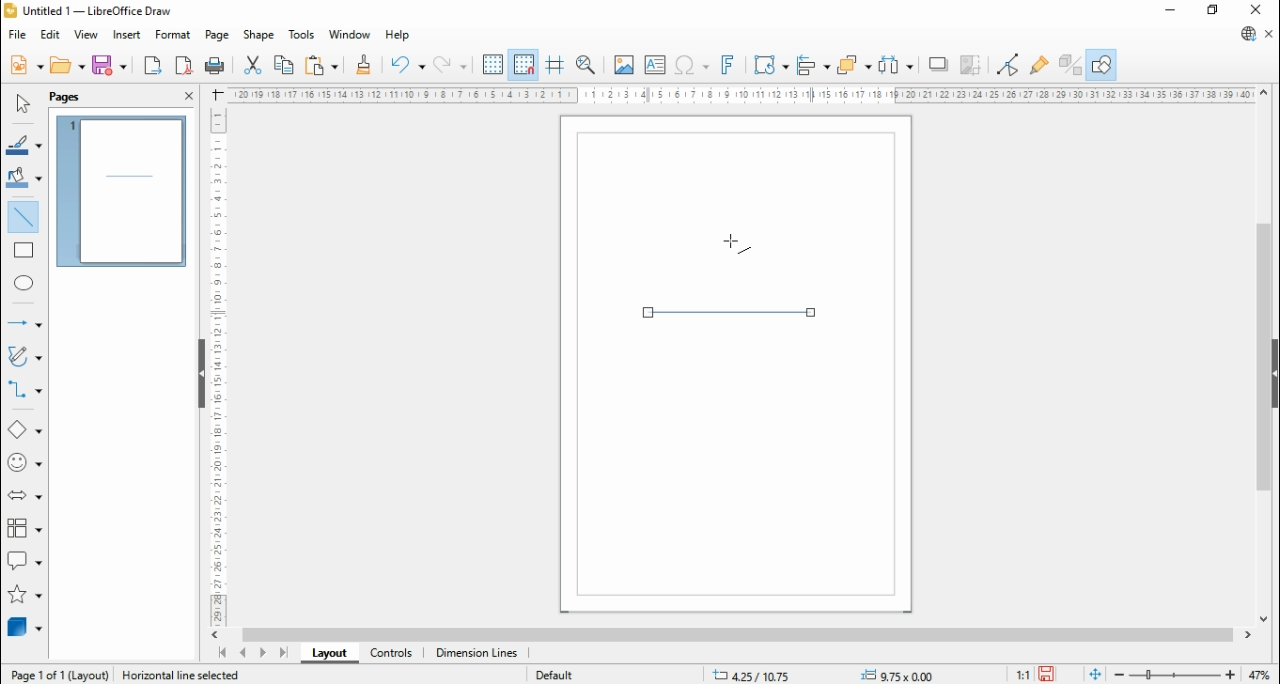  I want to click on mouse pointer, so click(736, 246).